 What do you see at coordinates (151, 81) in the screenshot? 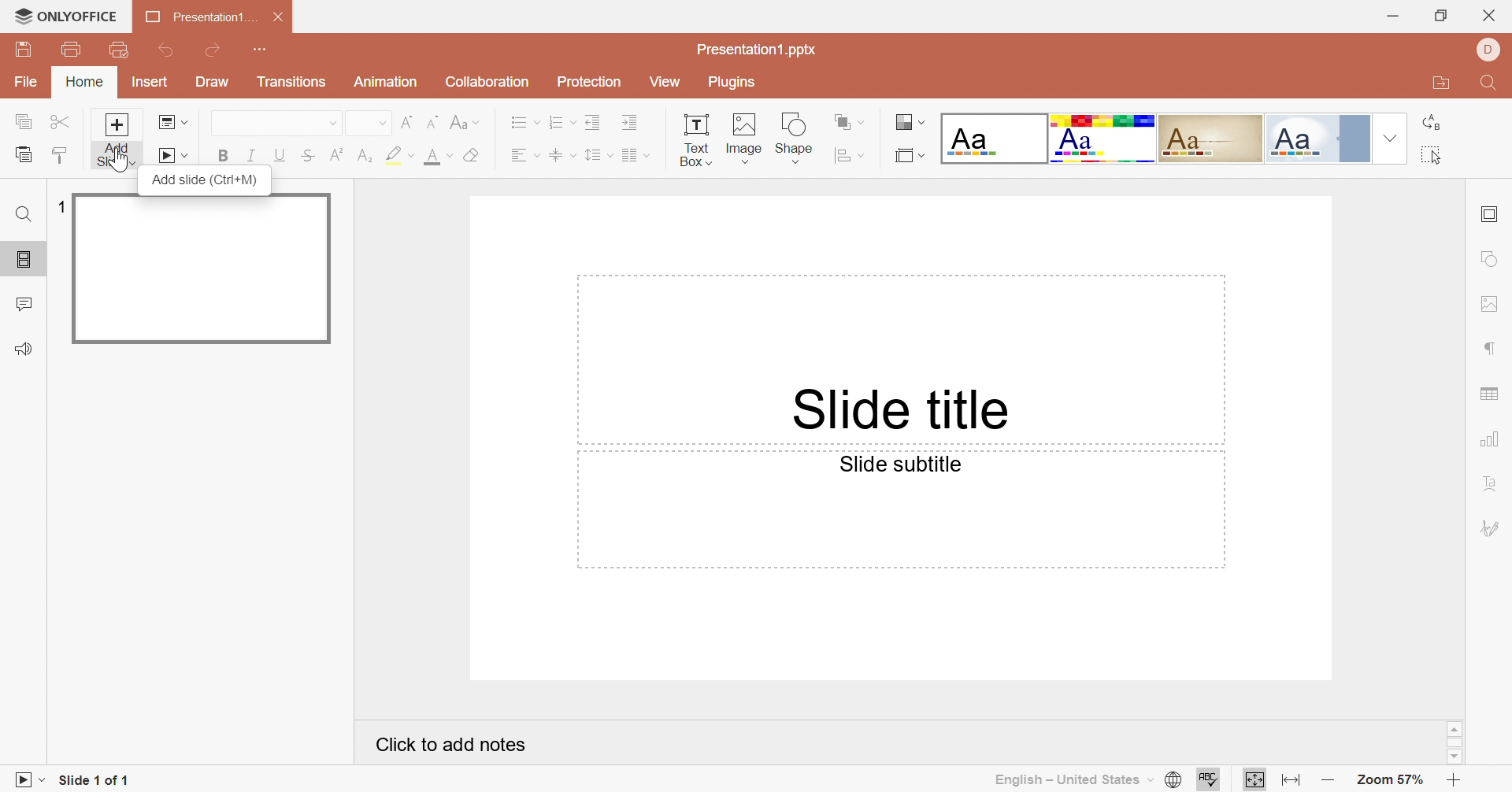
I see `Insert` at bounding box center [151, 81].